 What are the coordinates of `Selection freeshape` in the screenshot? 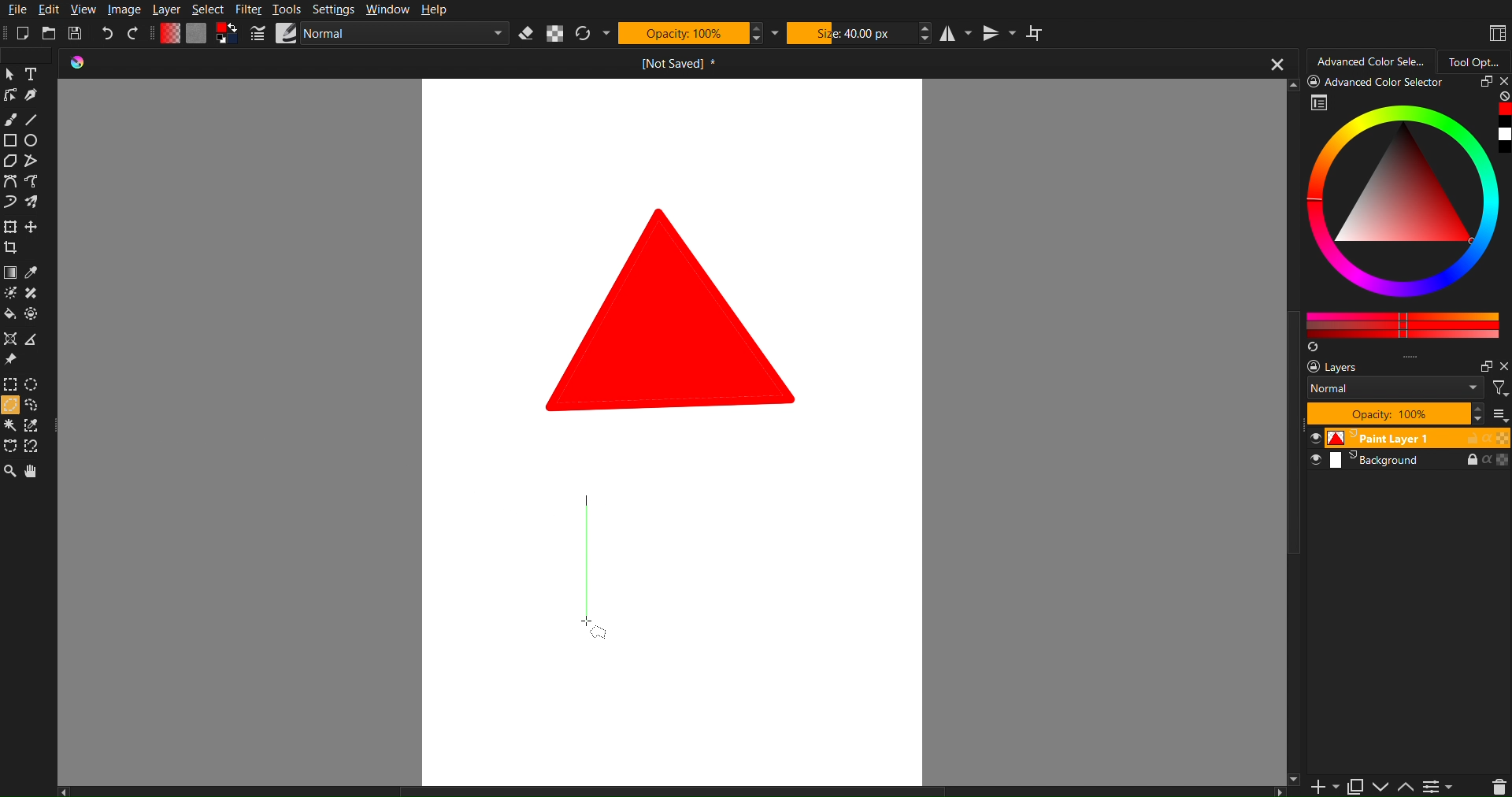 It's located at (36, 406).